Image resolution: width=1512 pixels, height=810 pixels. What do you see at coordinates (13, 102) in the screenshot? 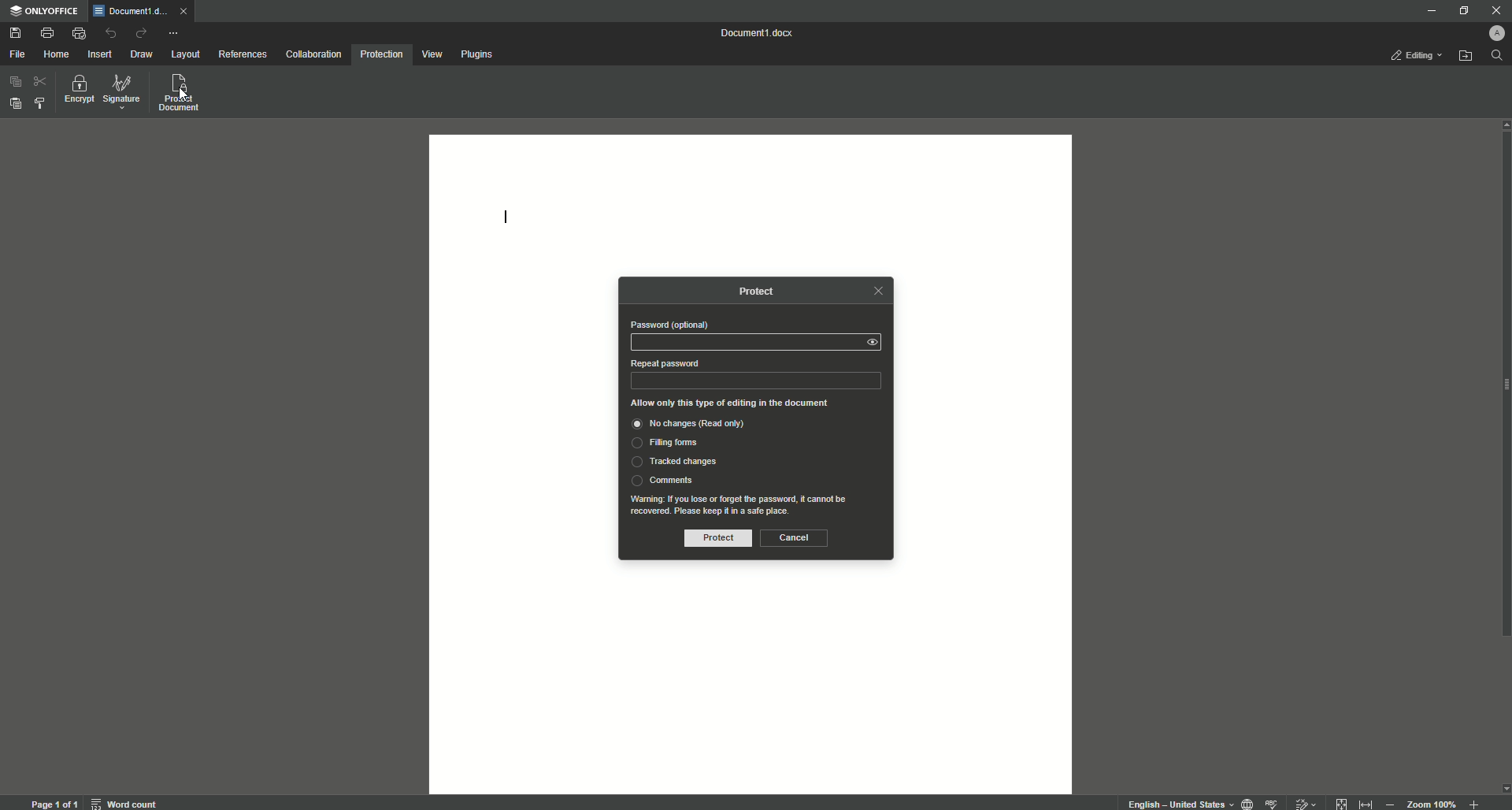
I see `Paste` at bounding box center [13, 102].